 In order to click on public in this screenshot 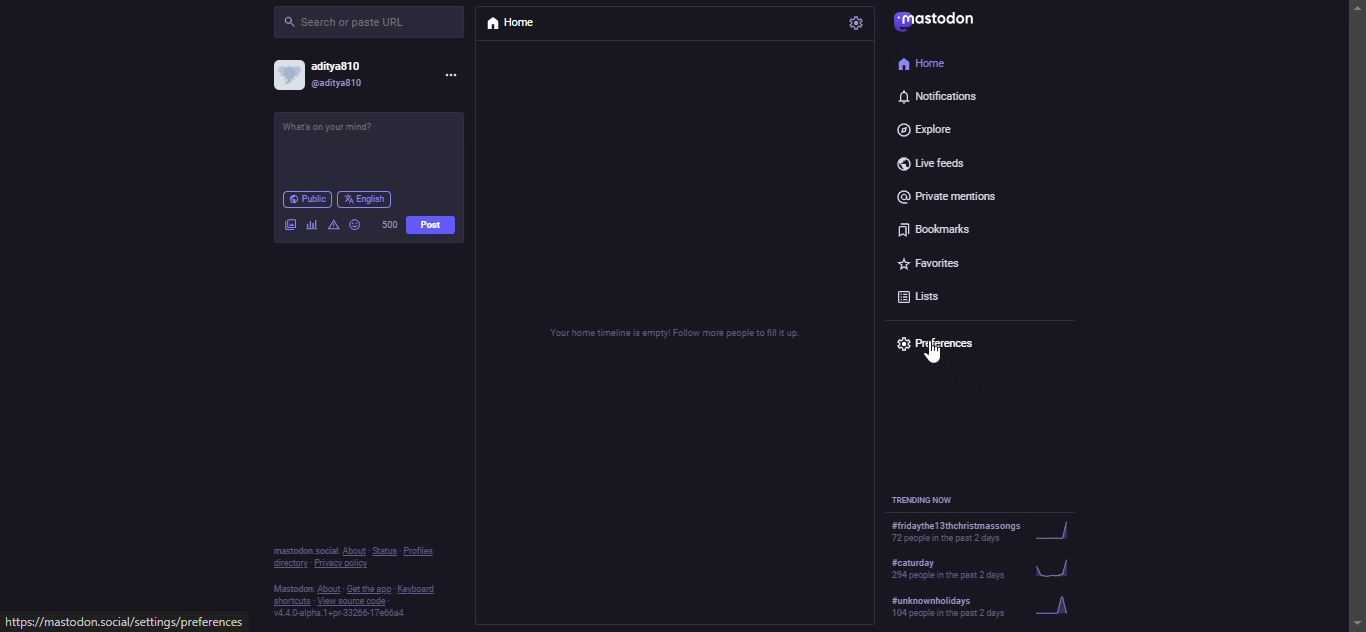, I will do `click(304, 200)`.